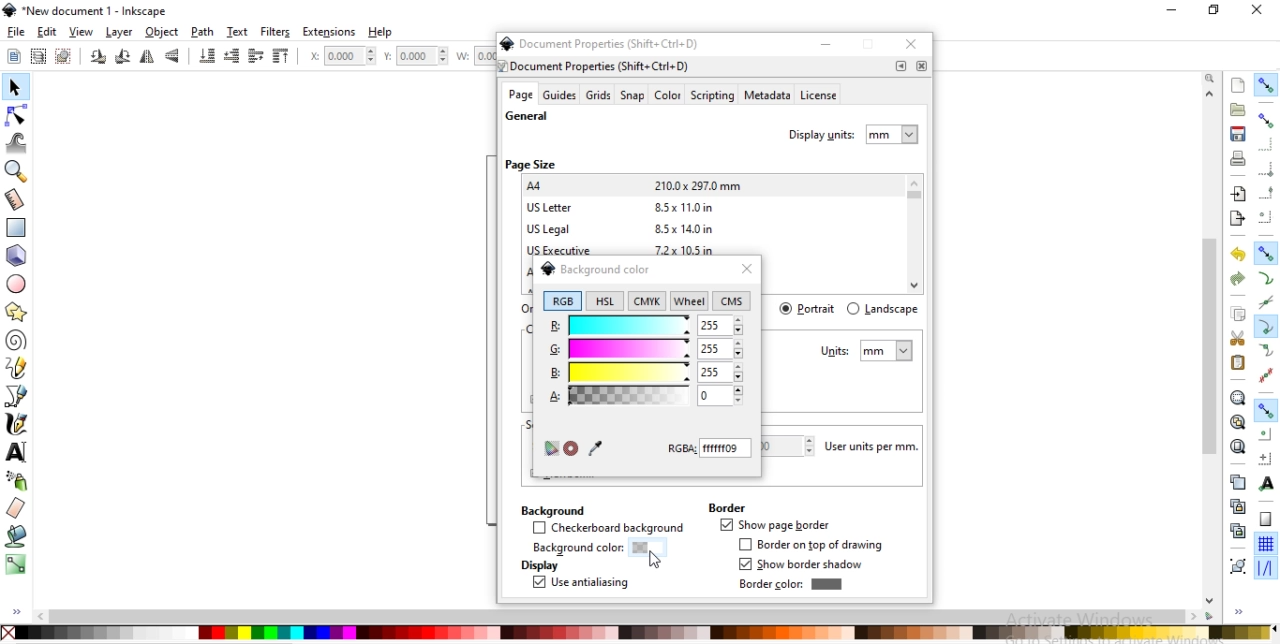 Image resolution: width=1280 pixels, height=644 pixels. What do you see at coordinates (551, 509) in the screenshot?
I see `background` at bounding box center [551, 509].